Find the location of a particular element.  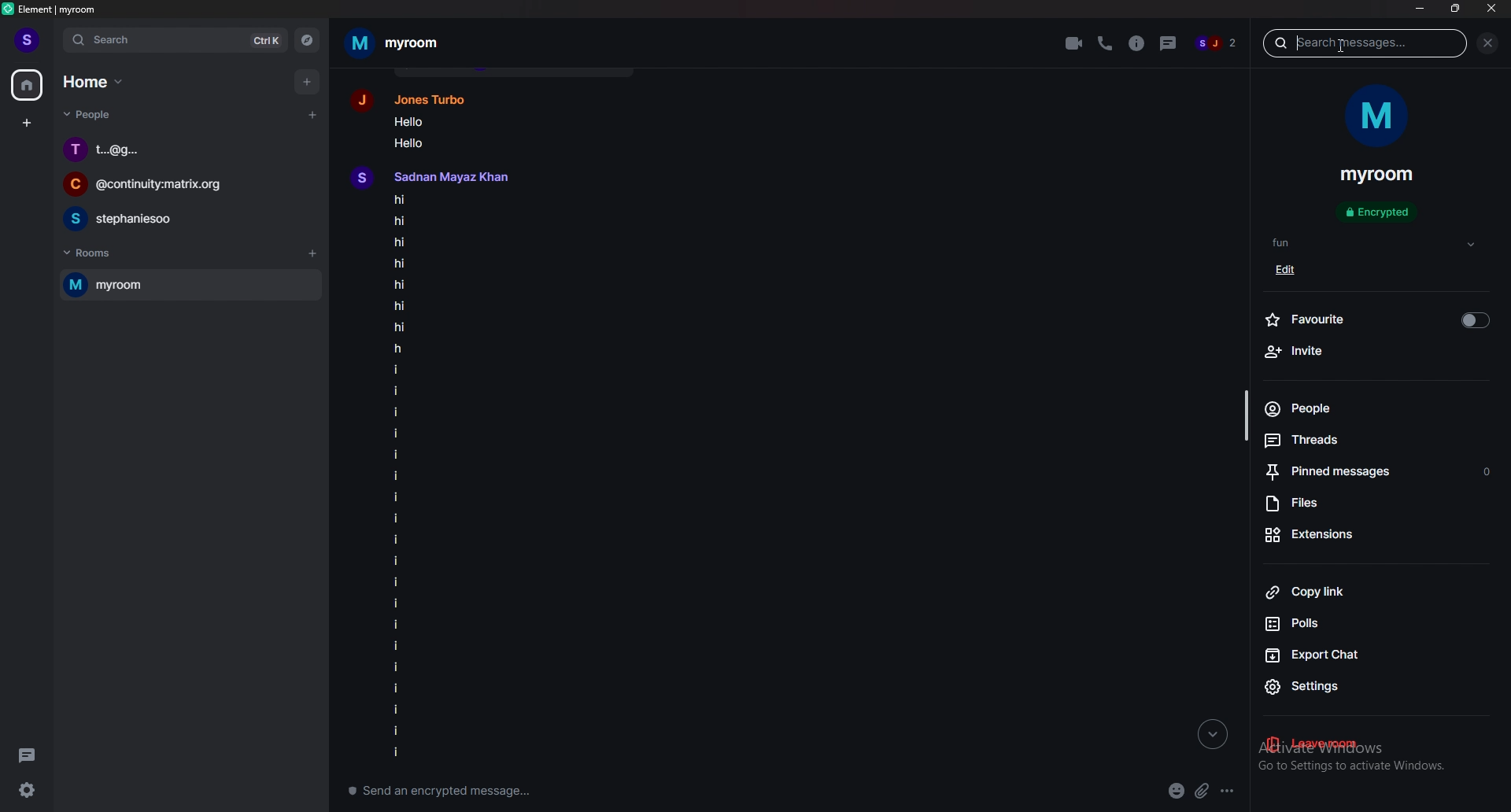

create space is located at coordinates (27, 124).